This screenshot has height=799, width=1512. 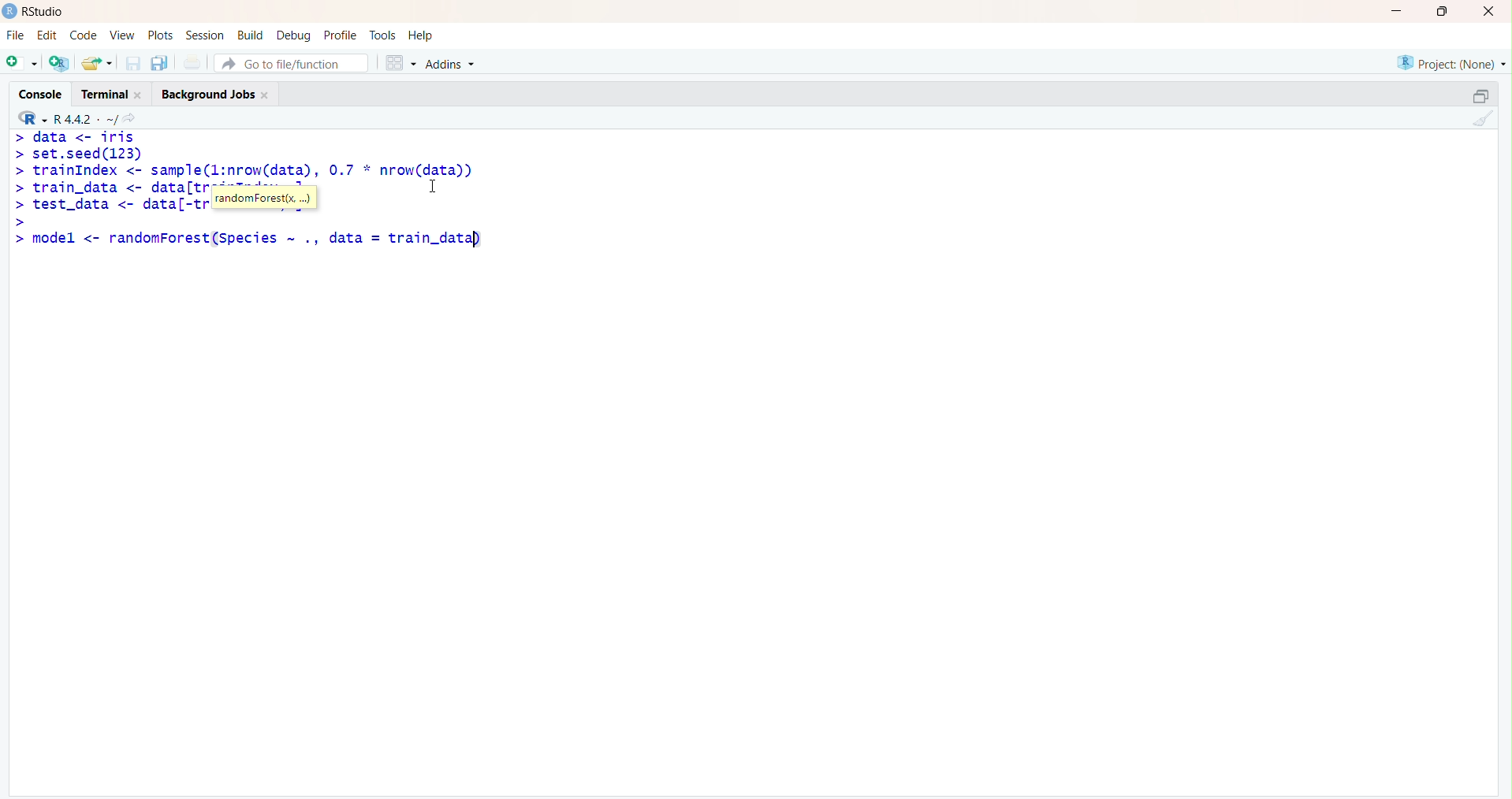 What do you see at coordinates (158, 61) in the screenshot?
I see `Save all open documents (Ctrl + Alt + S)` at bounding box center [158, 61].